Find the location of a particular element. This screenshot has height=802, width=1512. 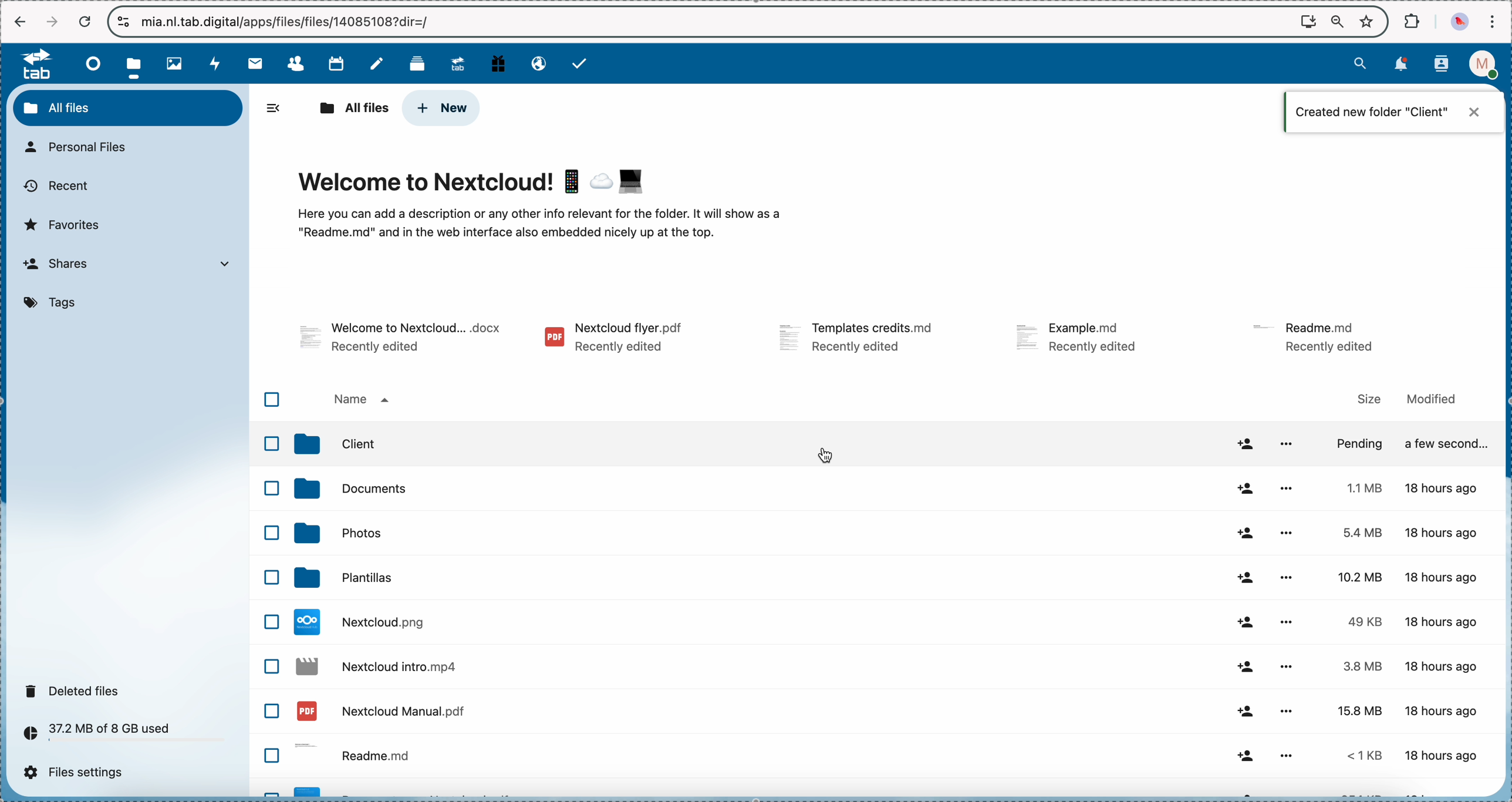

navigate back is located at coordinates (21, 23).